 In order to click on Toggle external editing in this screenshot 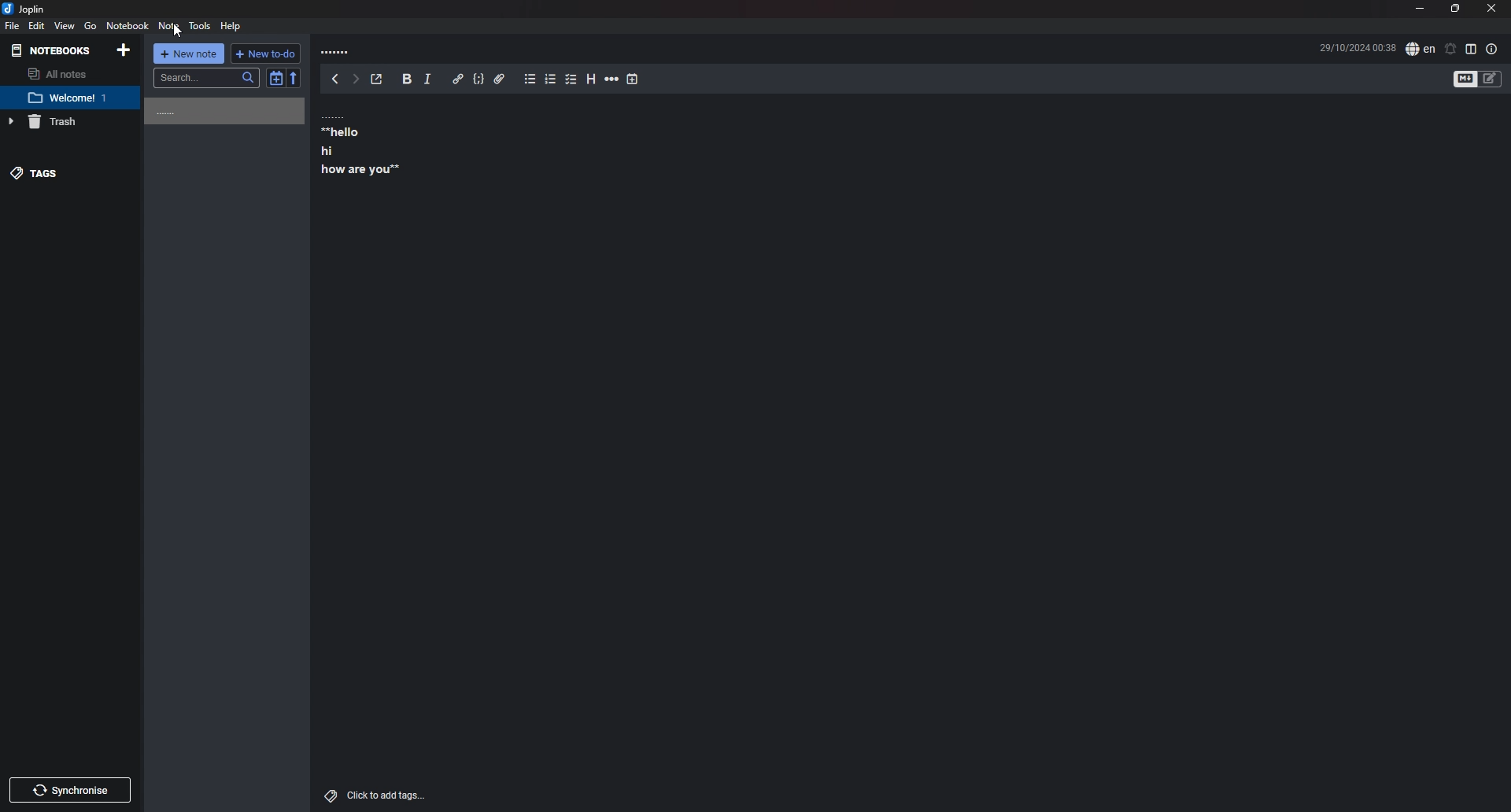, I will do `click(379, 79)`.